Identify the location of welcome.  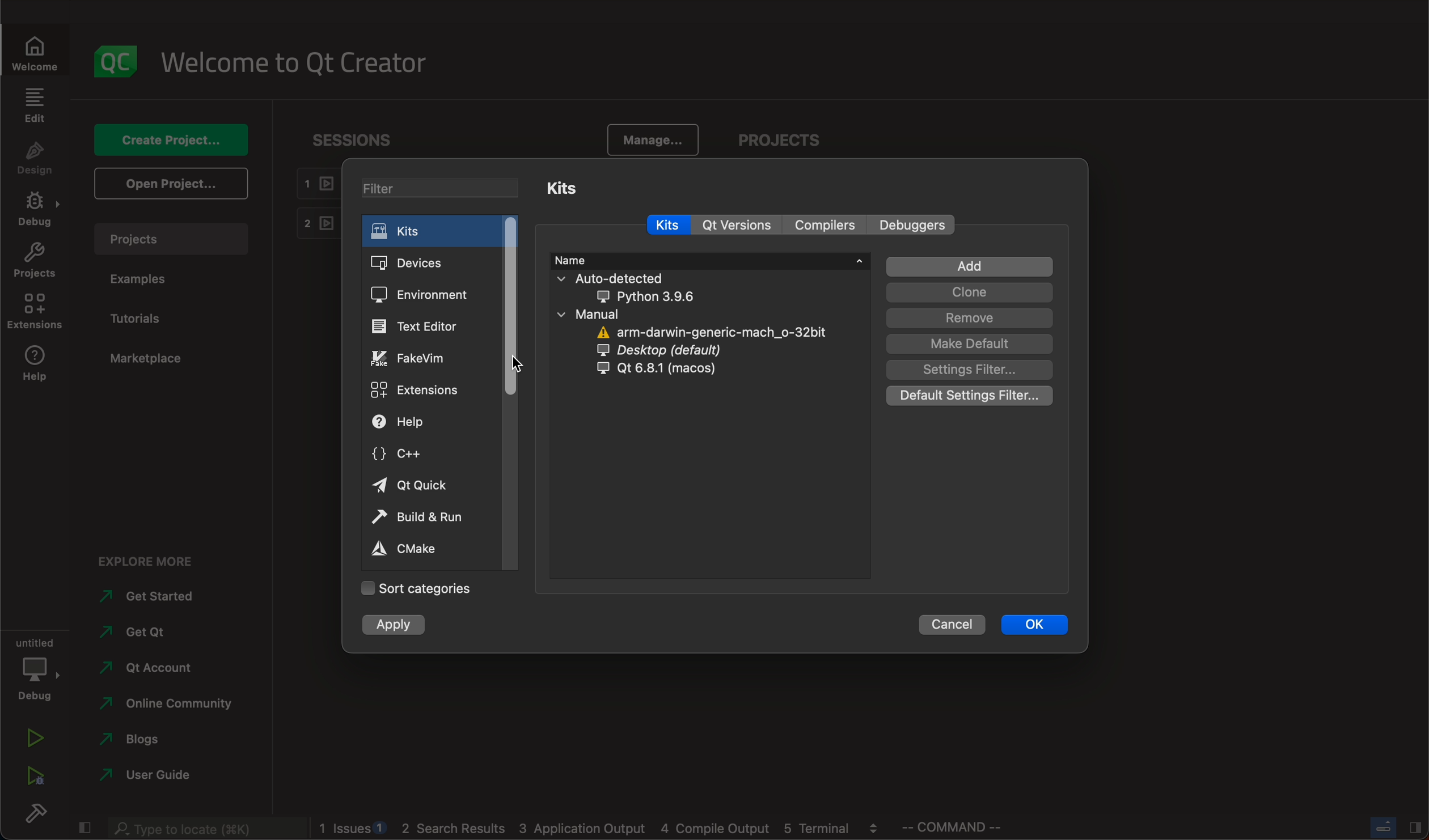
(293, 63).